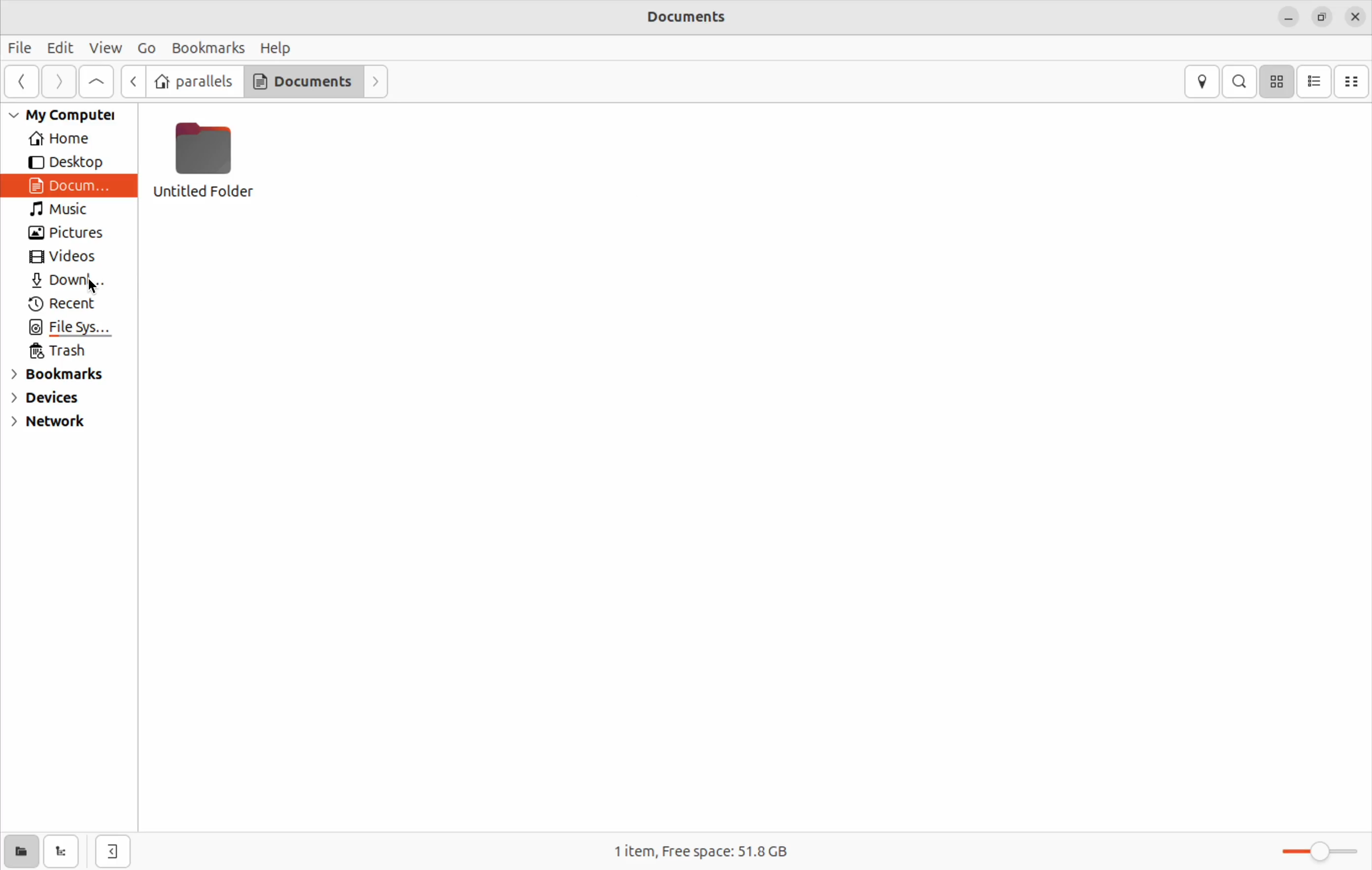 The width and height of the screenshot is (1372, 870). What do you see at coordinates (1353, 80) in the screenshot?
I see `compact view` at bounding box center [1353, 80].